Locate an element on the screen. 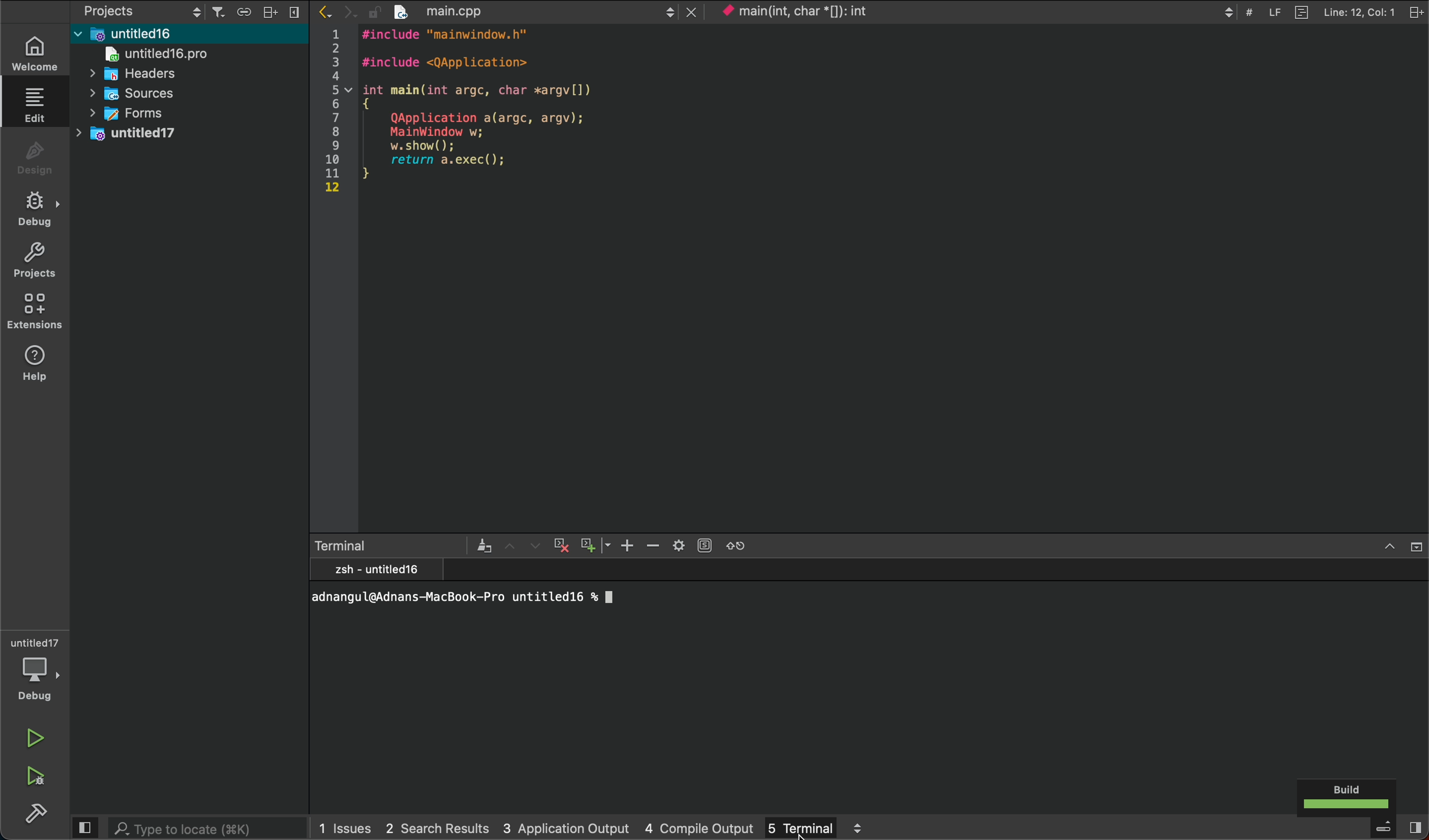 This screenshot has width=1429, height=840. run and debug is located at coordinates (32, 777).